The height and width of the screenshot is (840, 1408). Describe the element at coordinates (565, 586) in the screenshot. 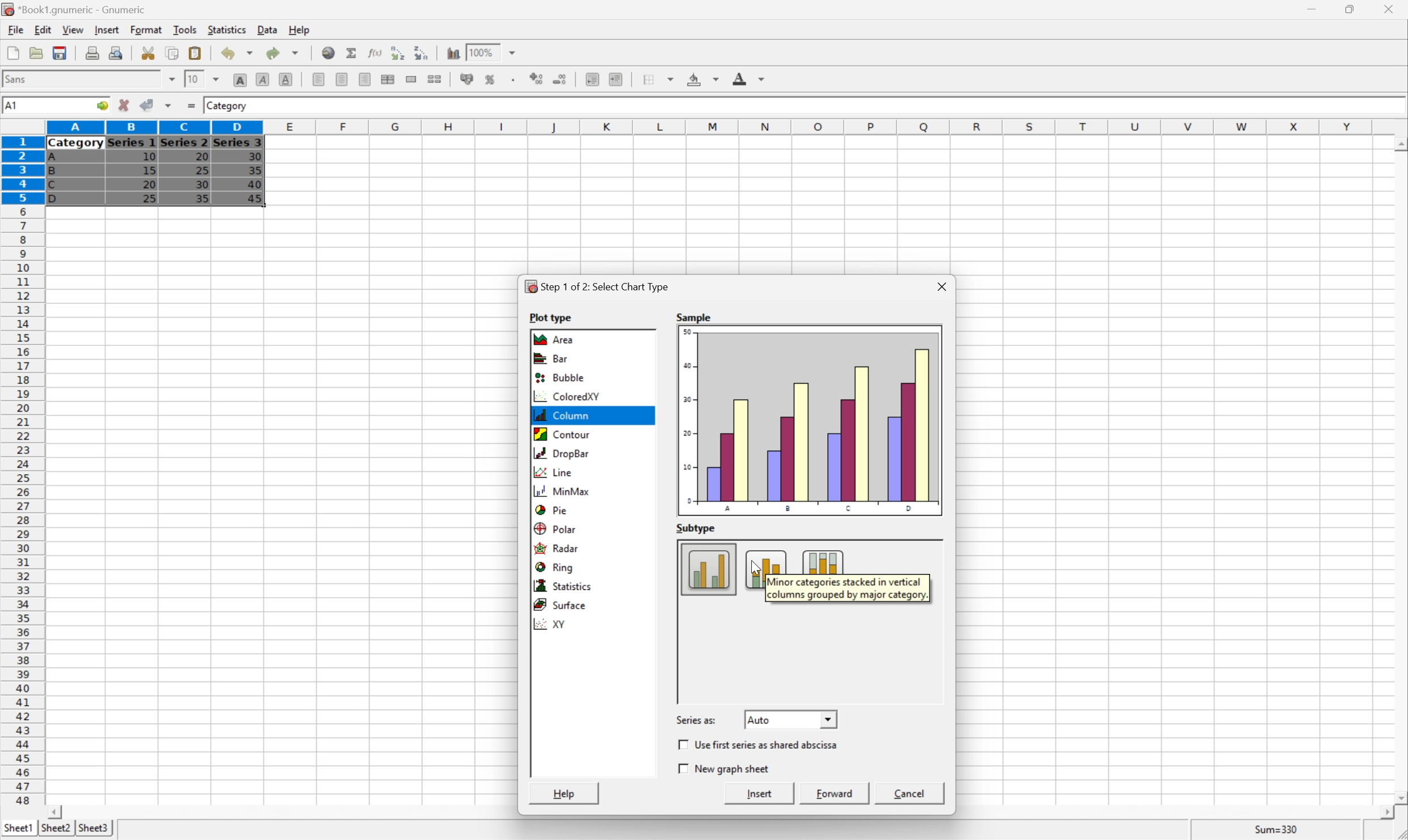

I see `Statistics` at that location.